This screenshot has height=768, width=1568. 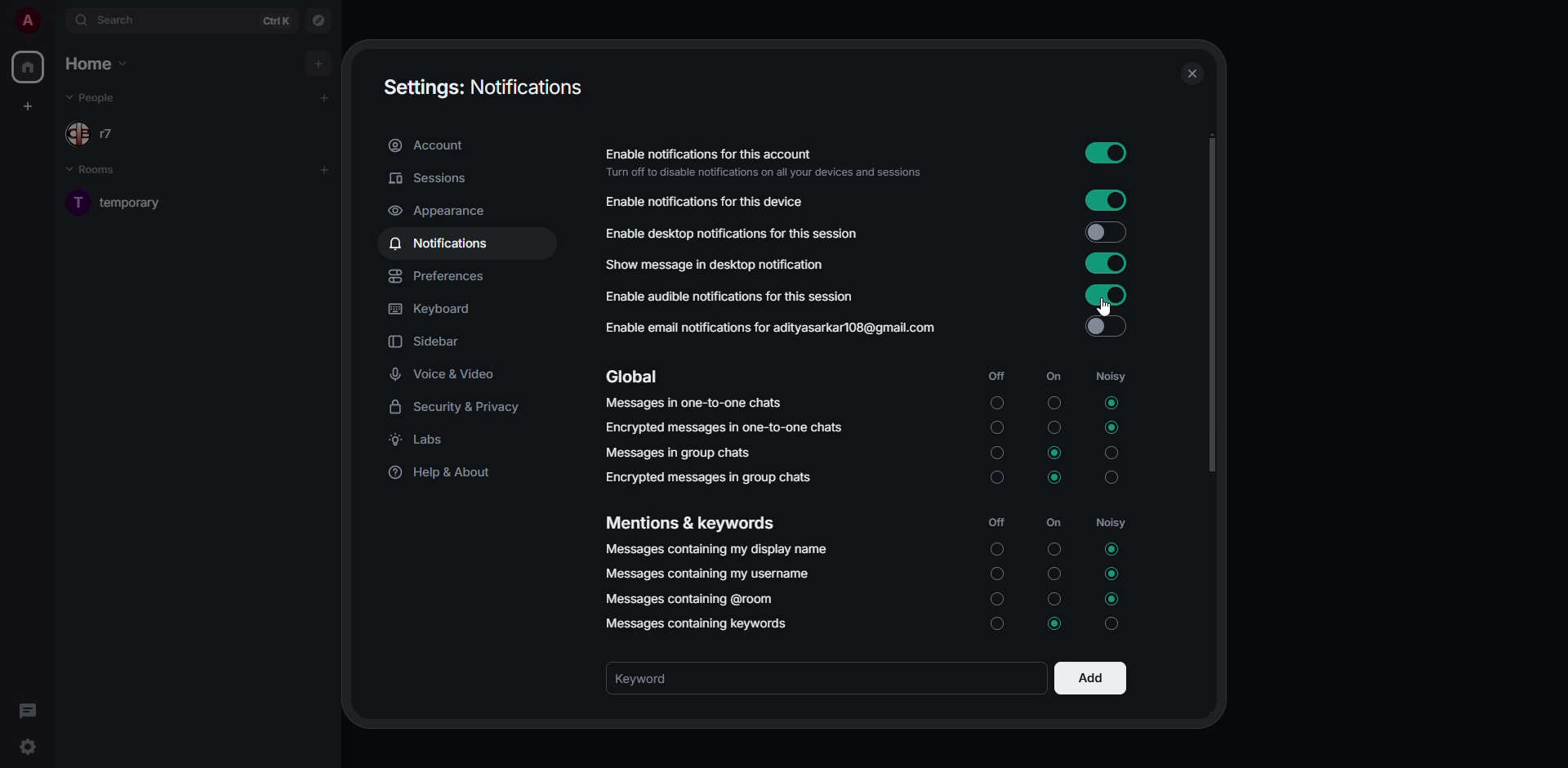 What do you see at coordinates (98, 98) in the screenshot?
I see `people` at bounding box center [98, 98].